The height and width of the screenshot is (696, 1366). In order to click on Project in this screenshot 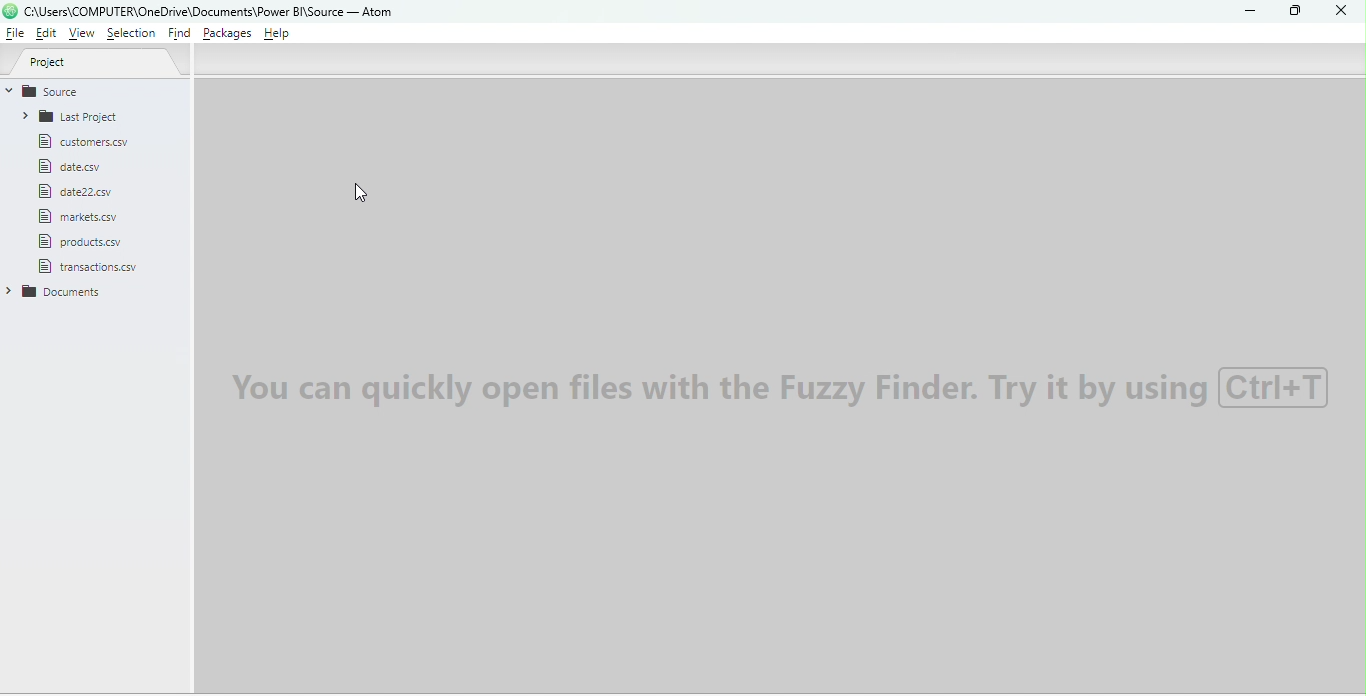, I will do `click(102, 64)`.